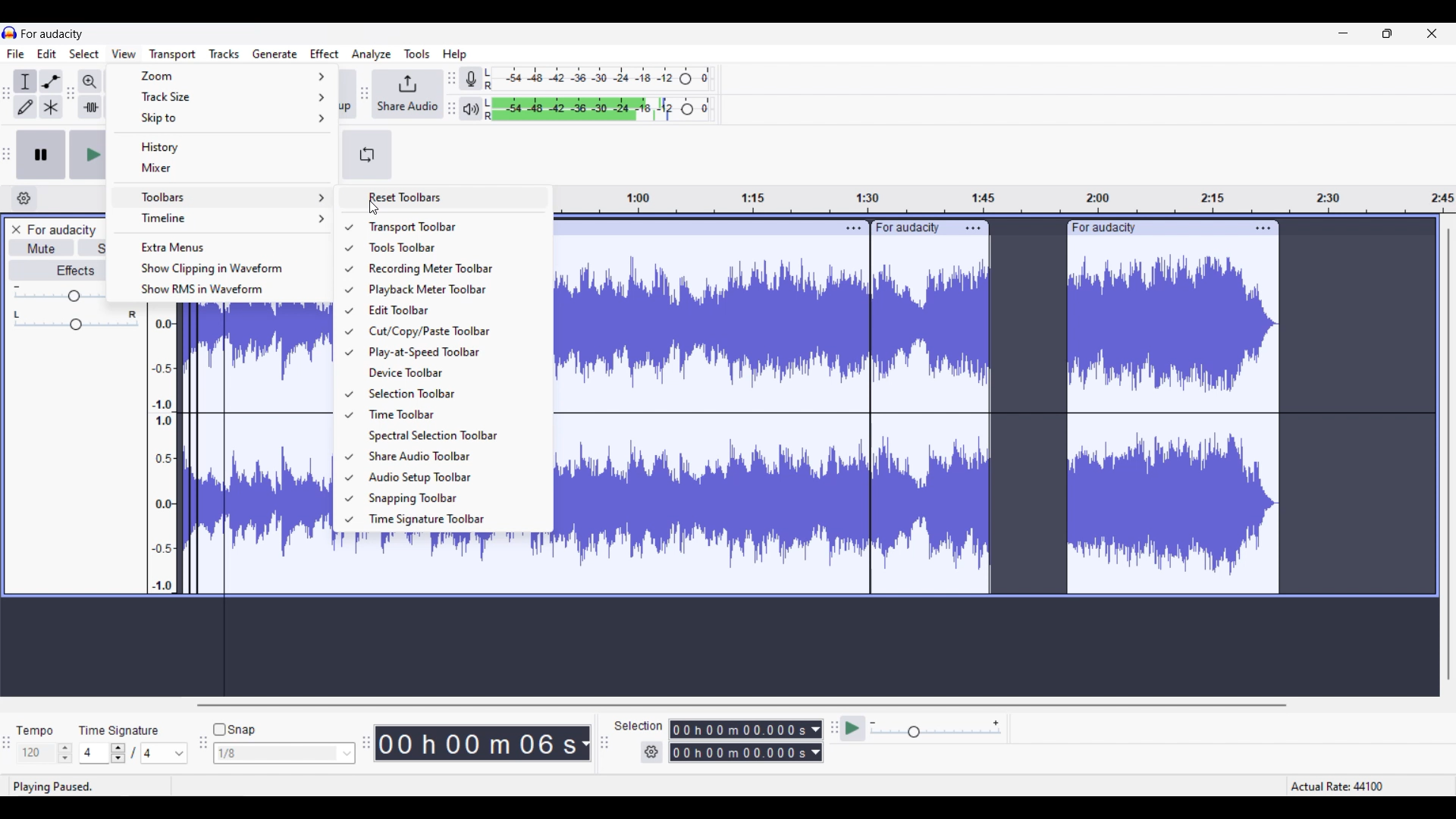 Image resolution: width=1456 pixels, height=819 pixels. I want to click on Effect menu, so click(325, 53).